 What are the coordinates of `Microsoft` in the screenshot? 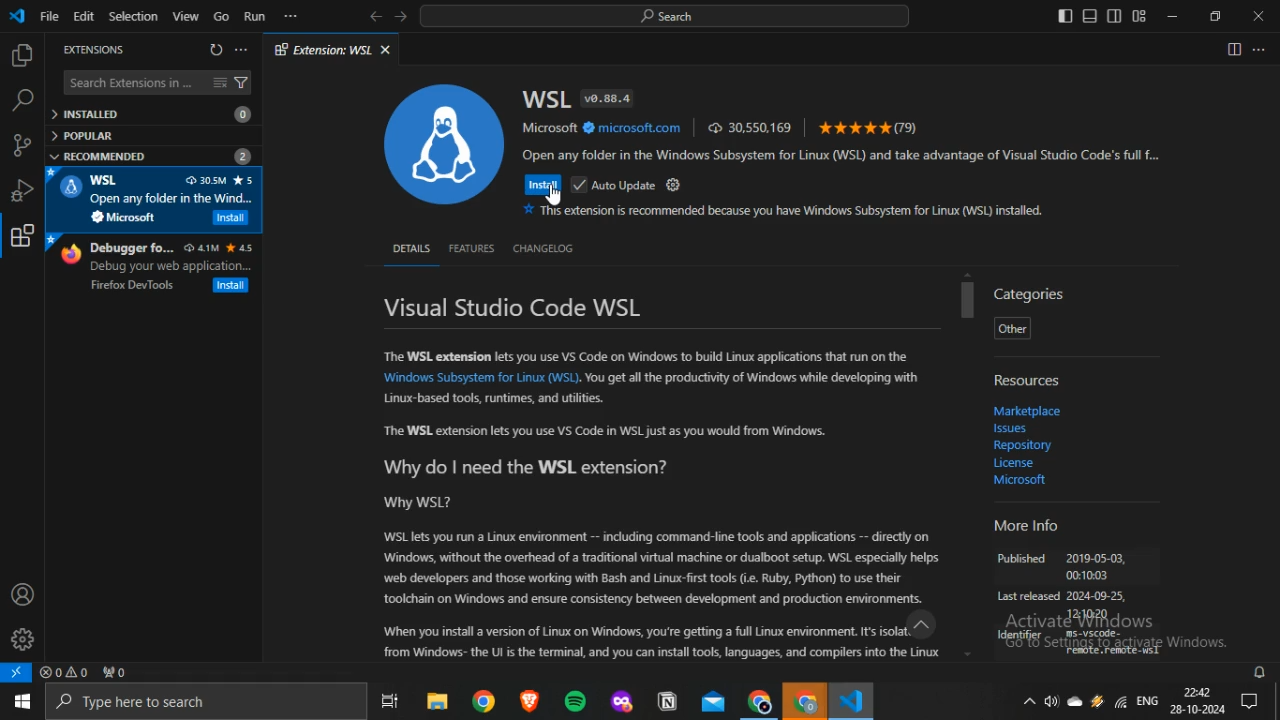 It's located at (1024, 480).